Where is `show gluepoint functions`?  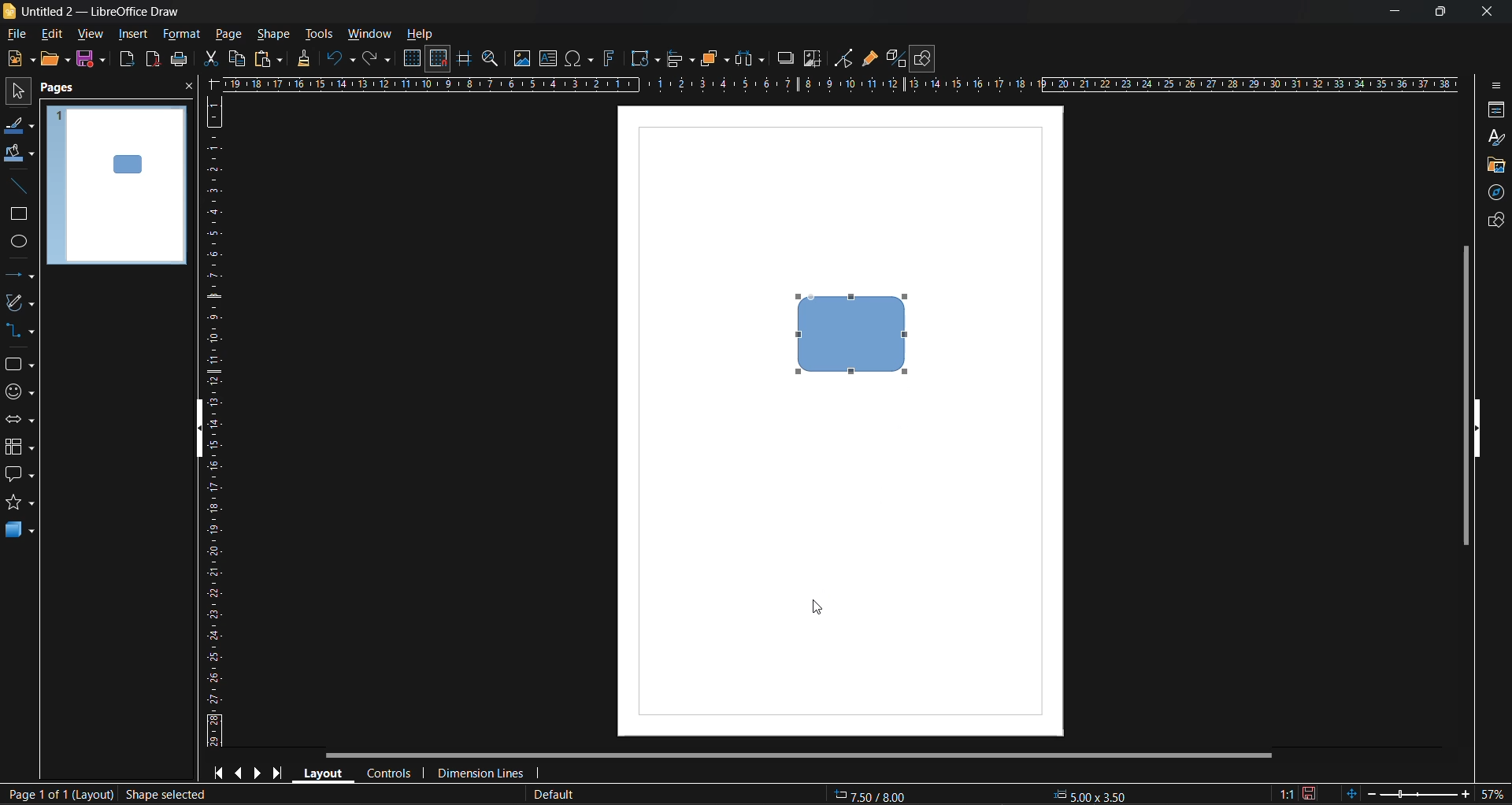
show gluepoint functions is located at coordinates (869, 59).